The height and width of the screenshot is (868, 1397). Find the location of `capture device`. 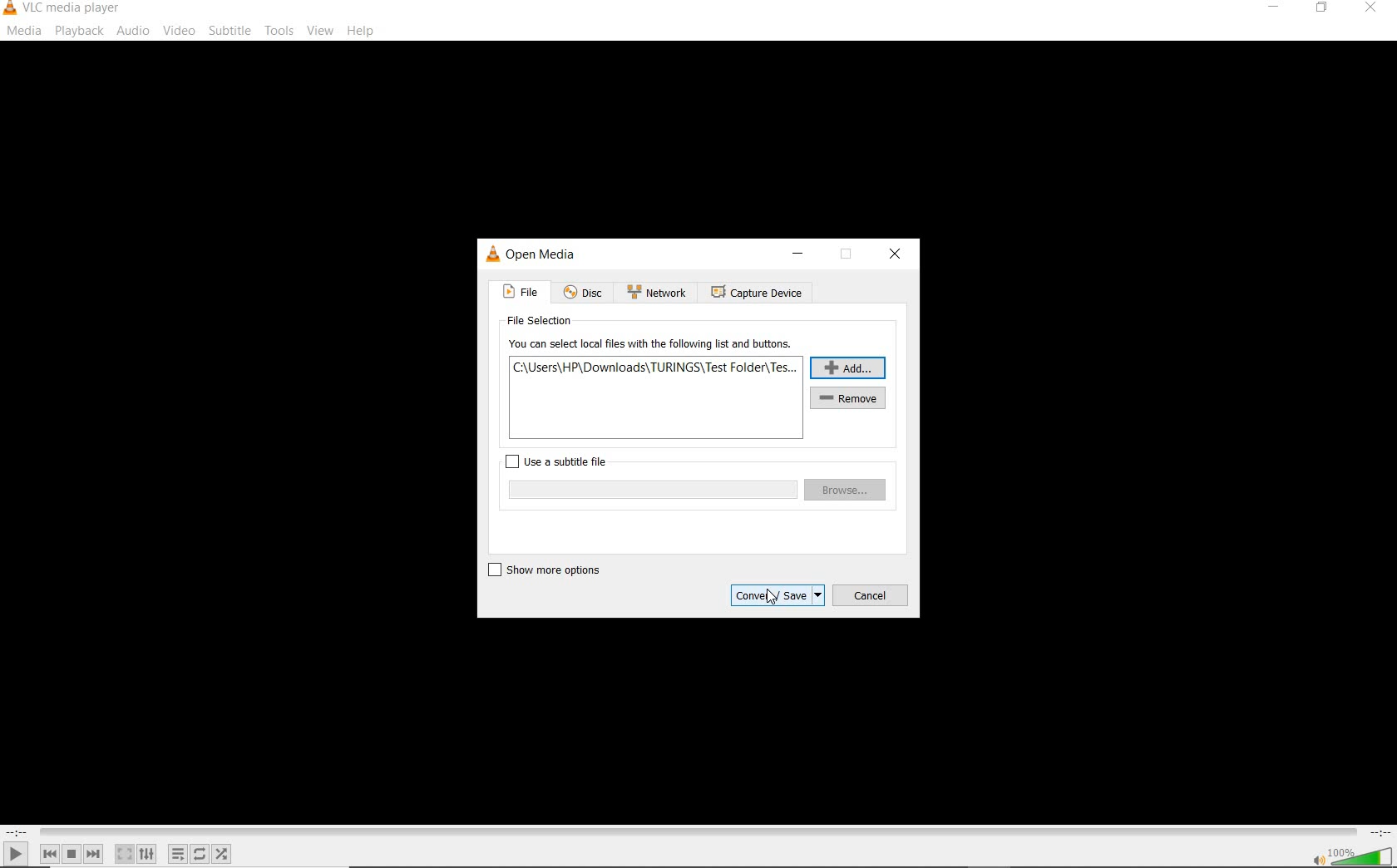

capture device is located at coordinates (754, 293).